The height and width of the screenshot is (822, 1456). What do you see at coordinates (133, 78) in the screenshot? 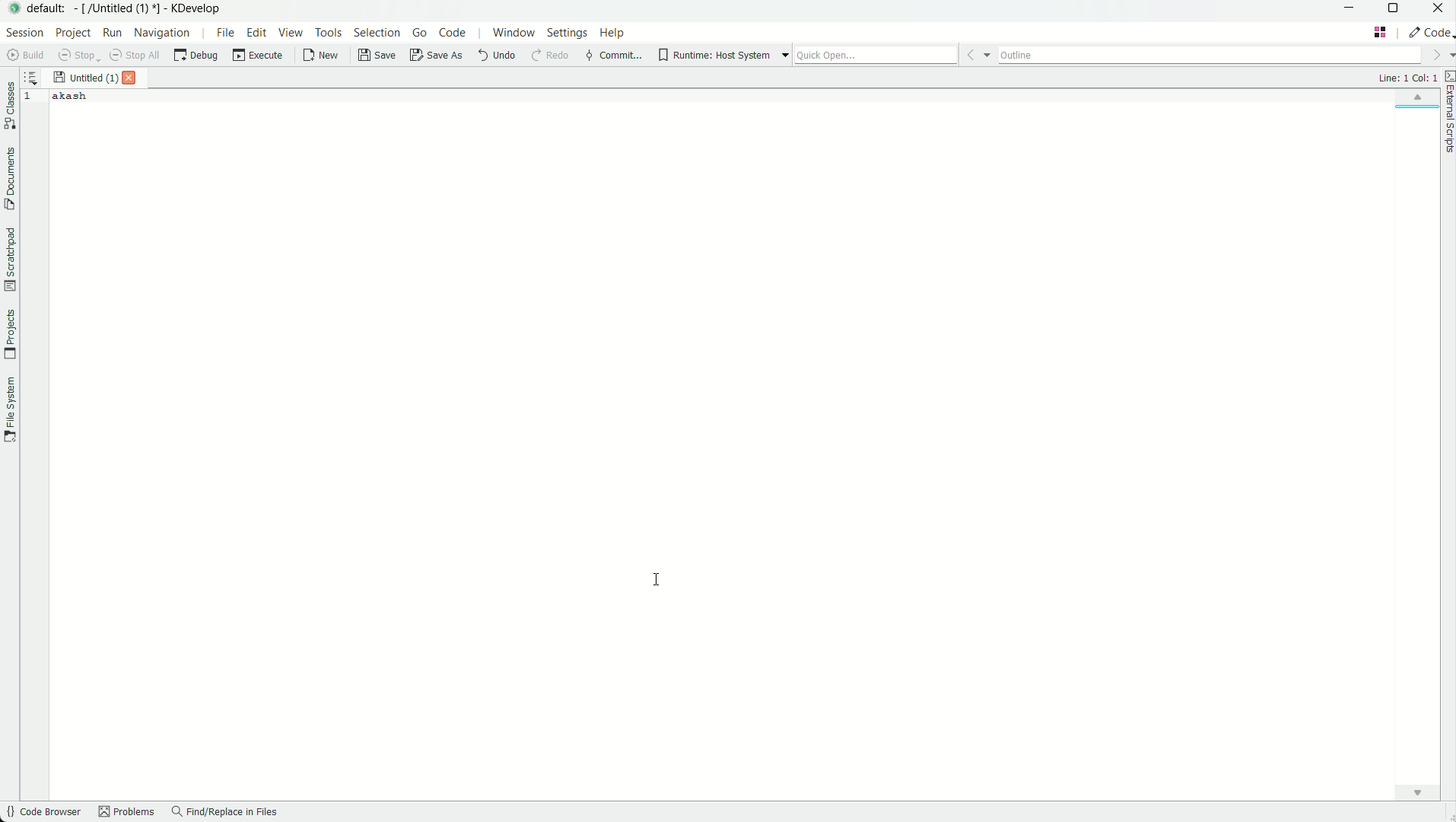
I see `close file` at bounding box center [133, 78].